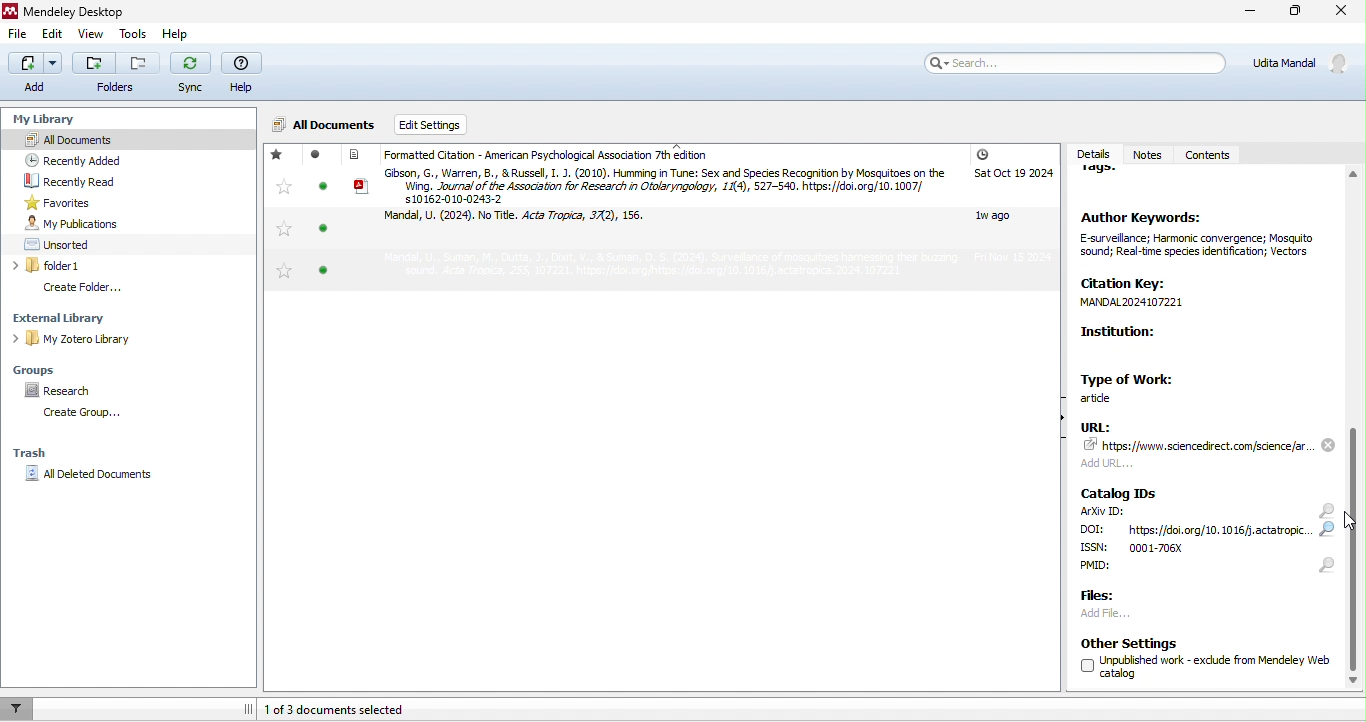 Image resolution: width=1366 pixels, height=722 pixels. Describe the element at coordinates (59, 202) in the screenshot. I see `favorites` at that location.